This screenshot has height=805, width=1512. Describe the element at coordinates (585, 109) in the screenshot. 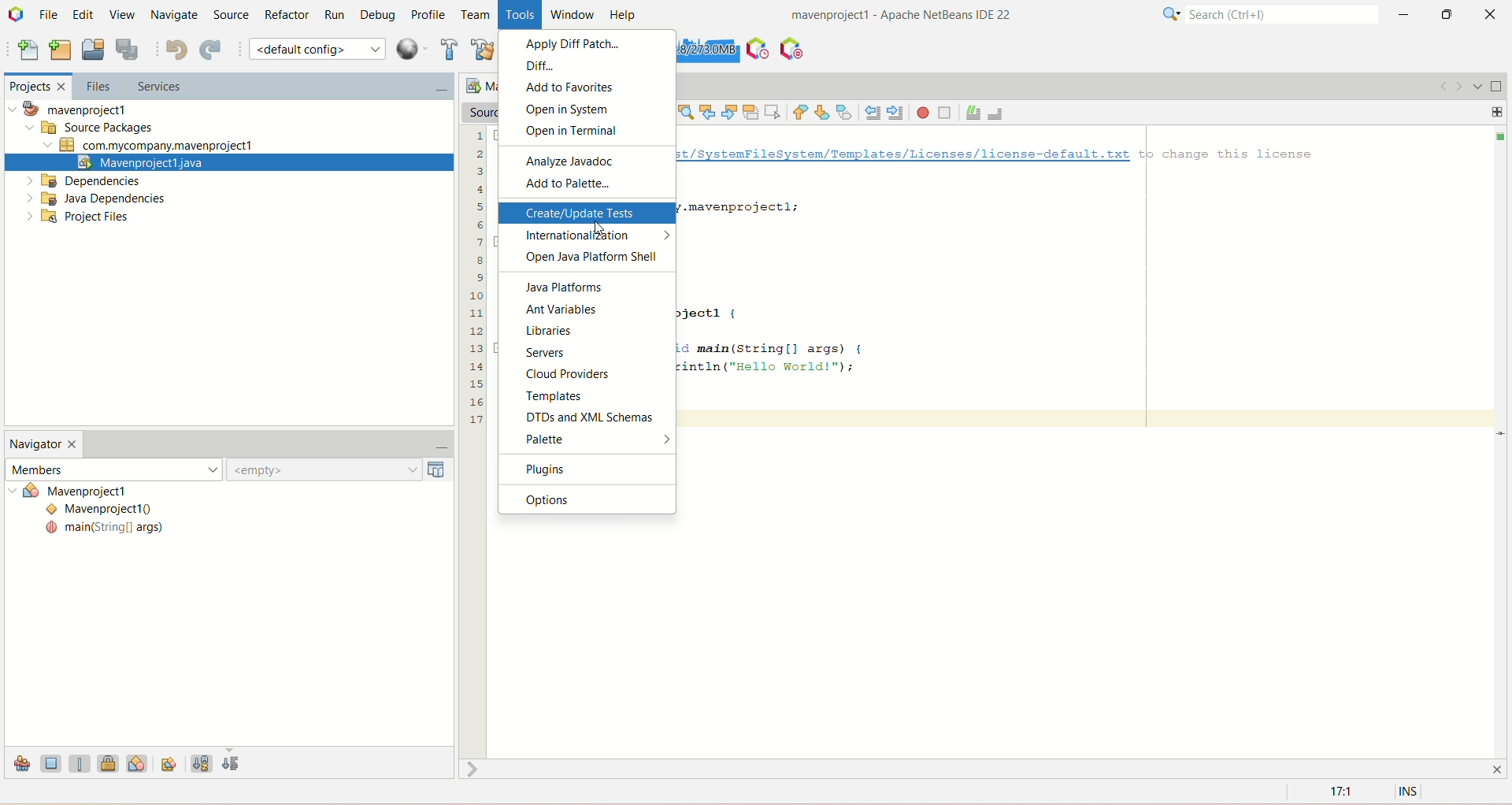

I see `open in system` at that location.